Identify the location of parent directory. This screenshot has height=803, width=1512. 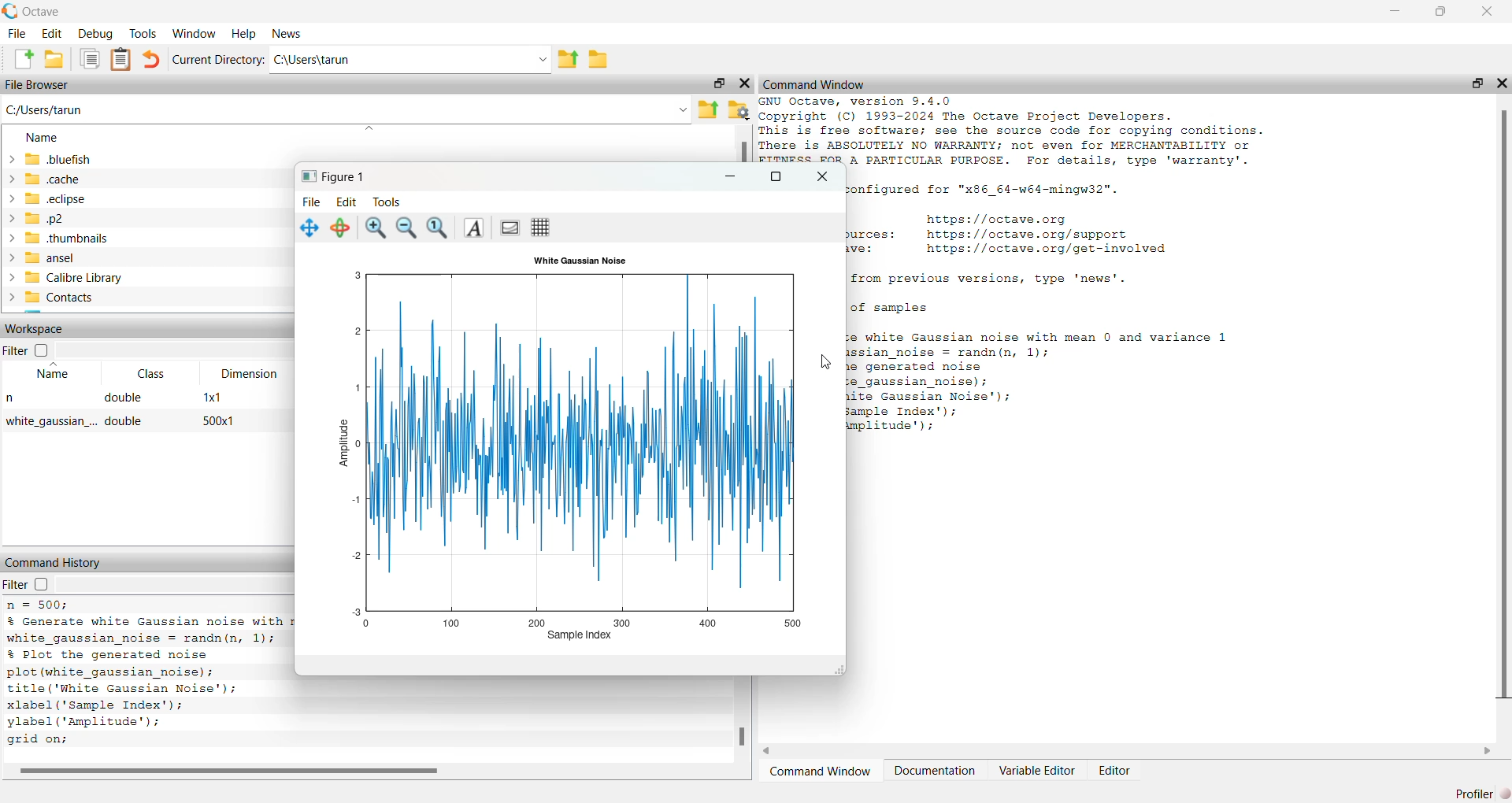
(573, 57).